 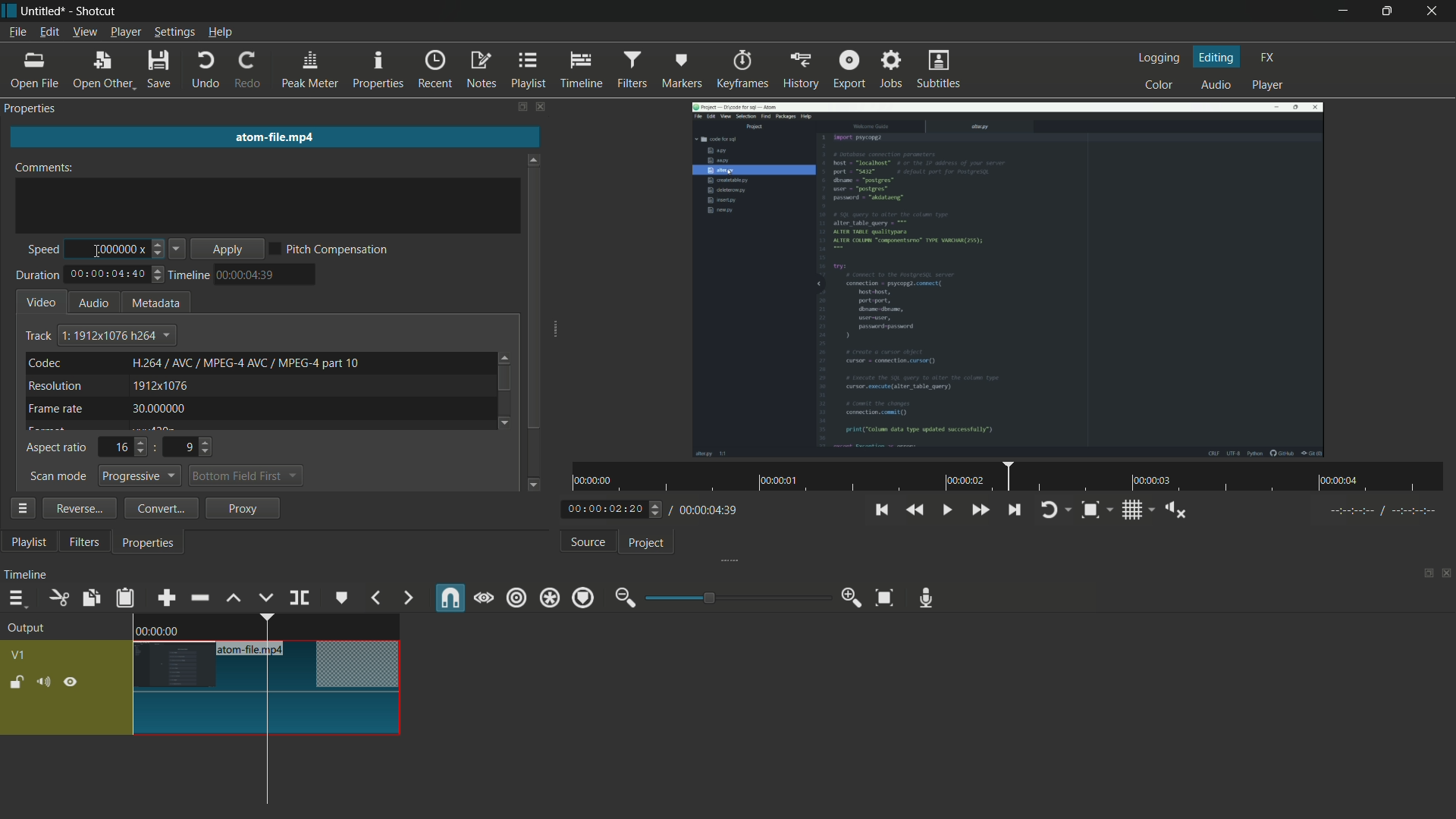 I want to click on ripple, so click(x=516, y=598).